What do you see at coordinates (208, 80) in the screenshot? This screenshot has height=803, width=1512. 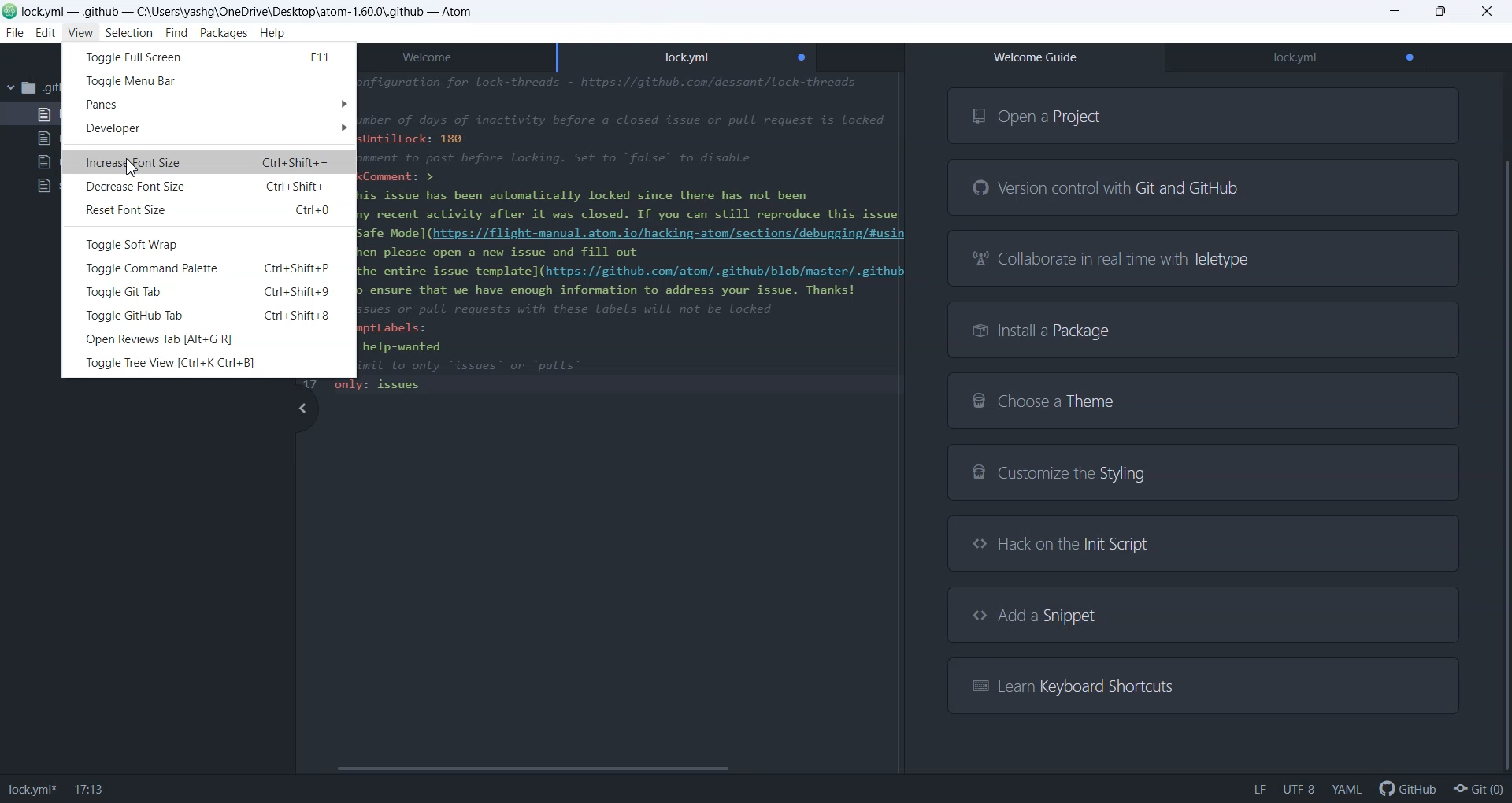 I see `Toggle menu bar` at bounding box center [208, 80].